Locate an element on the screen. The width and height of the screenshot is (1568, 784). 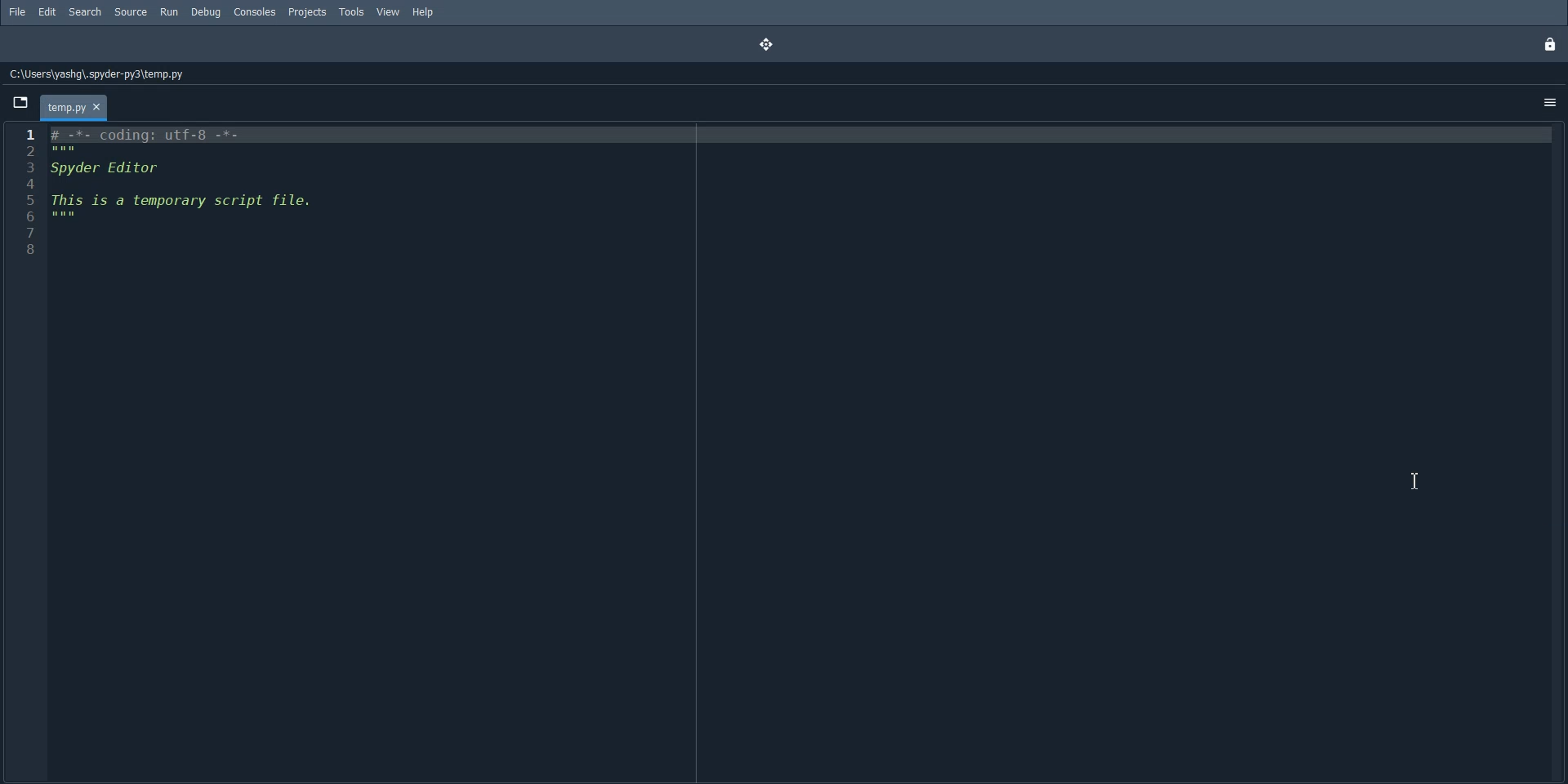
Run is located at coordinates (168, 11).